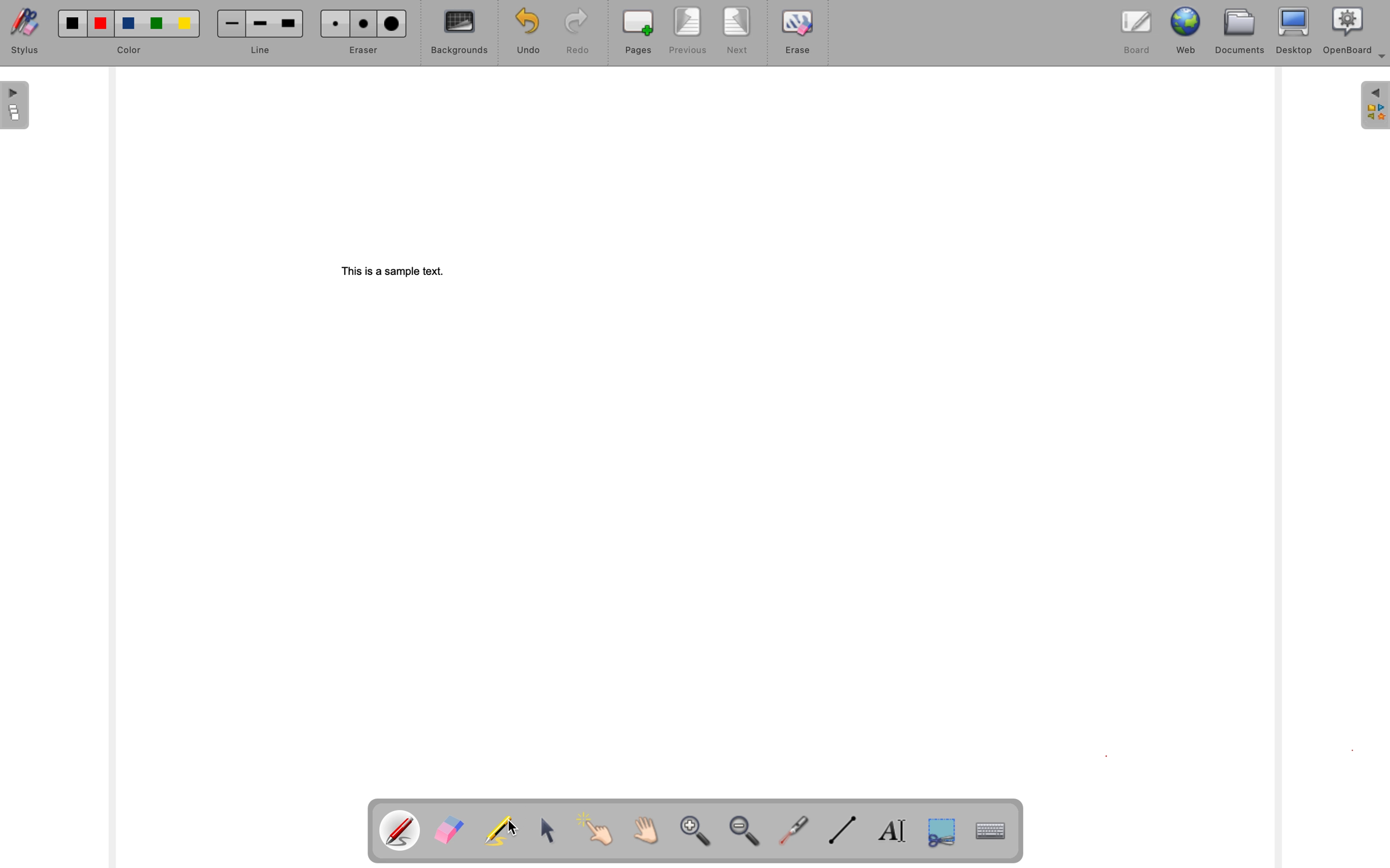 The height and width of the screenshot is (868, 1390). I want to click on Large Eraser, so click(391, 24).